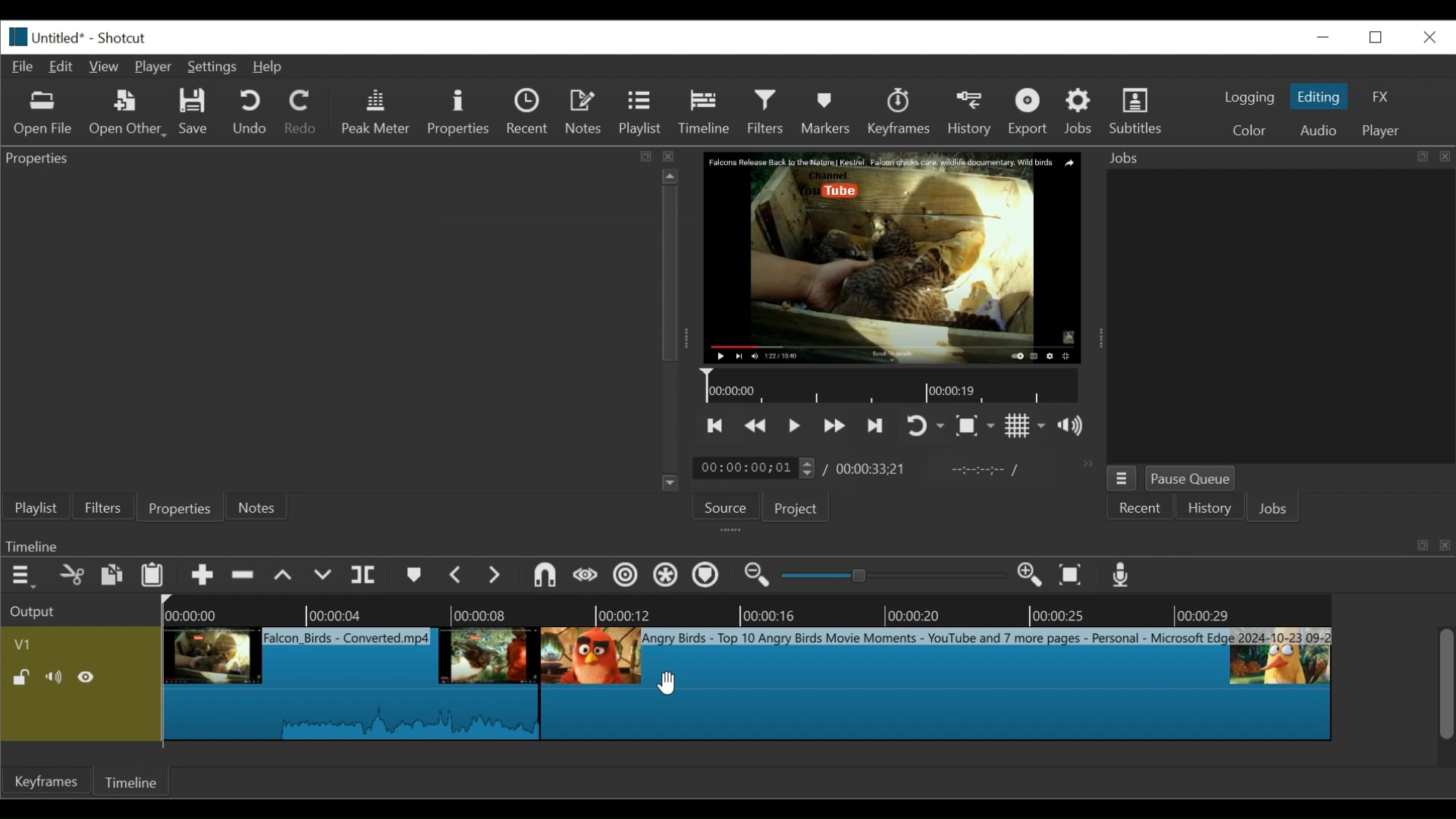 The width and height of the screenshot is (1456, 819). I want to click on Mute, so click(55, 676).